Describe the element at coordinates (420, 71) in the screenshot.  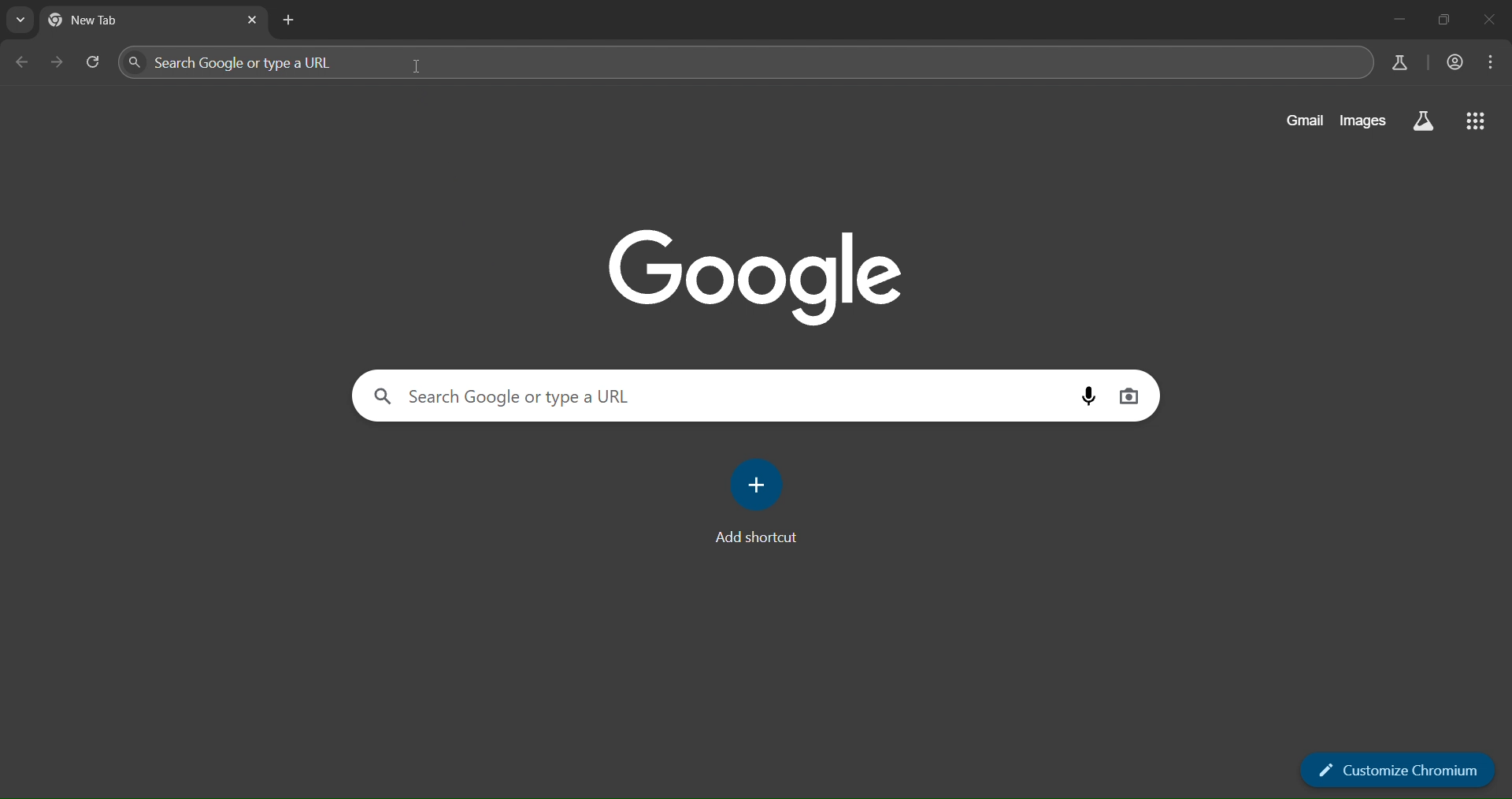
I see `cursor` at that location.